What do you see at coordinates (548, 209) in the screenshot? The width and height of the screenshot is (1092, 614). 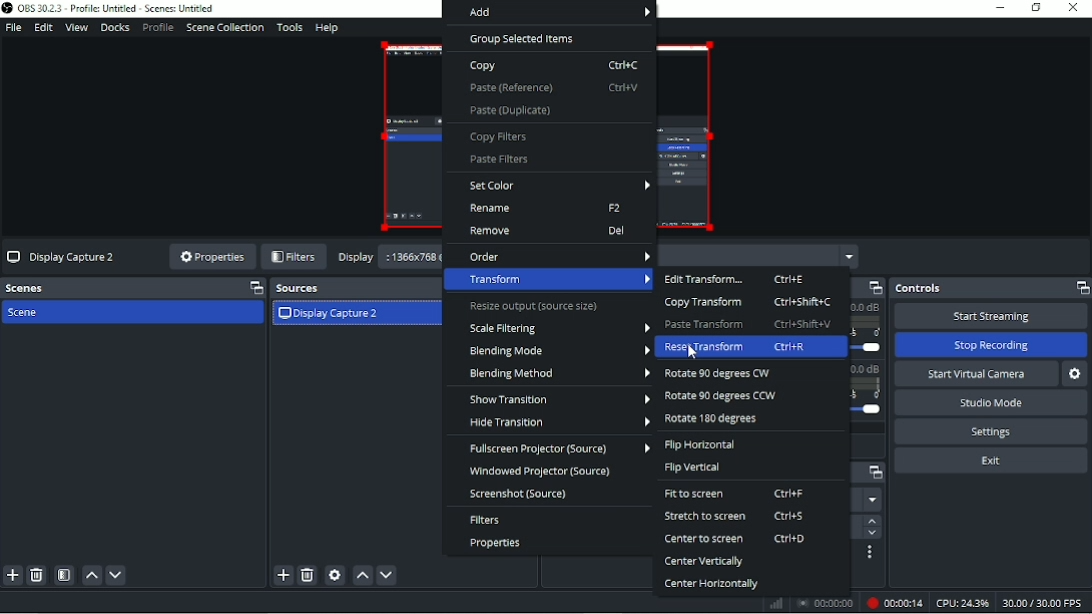 I see `Rename` at bounding box center [548, 209].